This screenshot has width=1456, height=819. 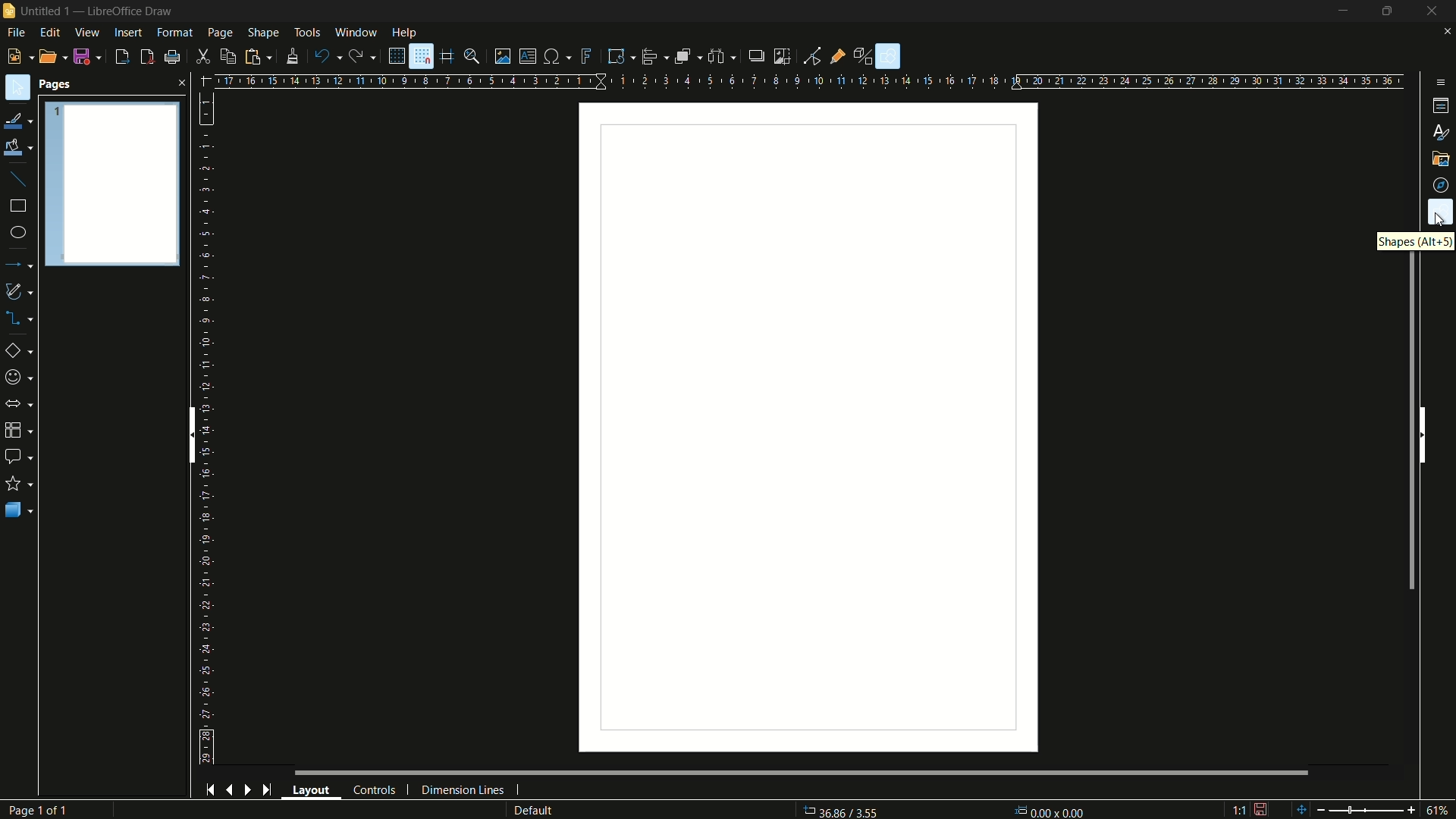 What do you see at coordinates (49, 33) in the screenshot?
I see `edit menu` at bounding box center [49, 33].